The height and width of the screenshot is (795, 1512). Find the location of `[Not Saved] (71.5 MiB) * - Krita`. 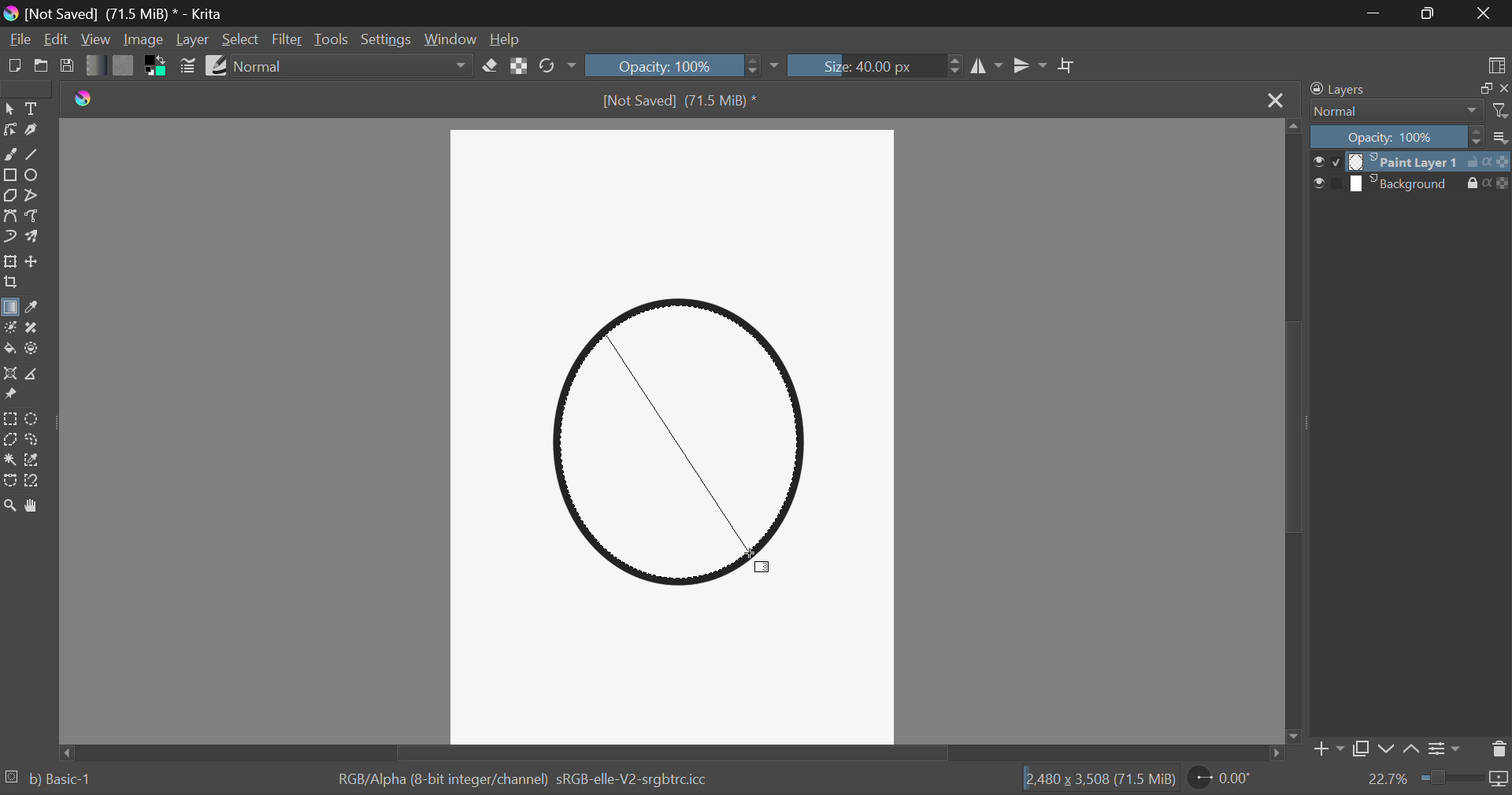

[Not Saved] (71.5 MiB) * - Krita is located at coordinates (124, 15).